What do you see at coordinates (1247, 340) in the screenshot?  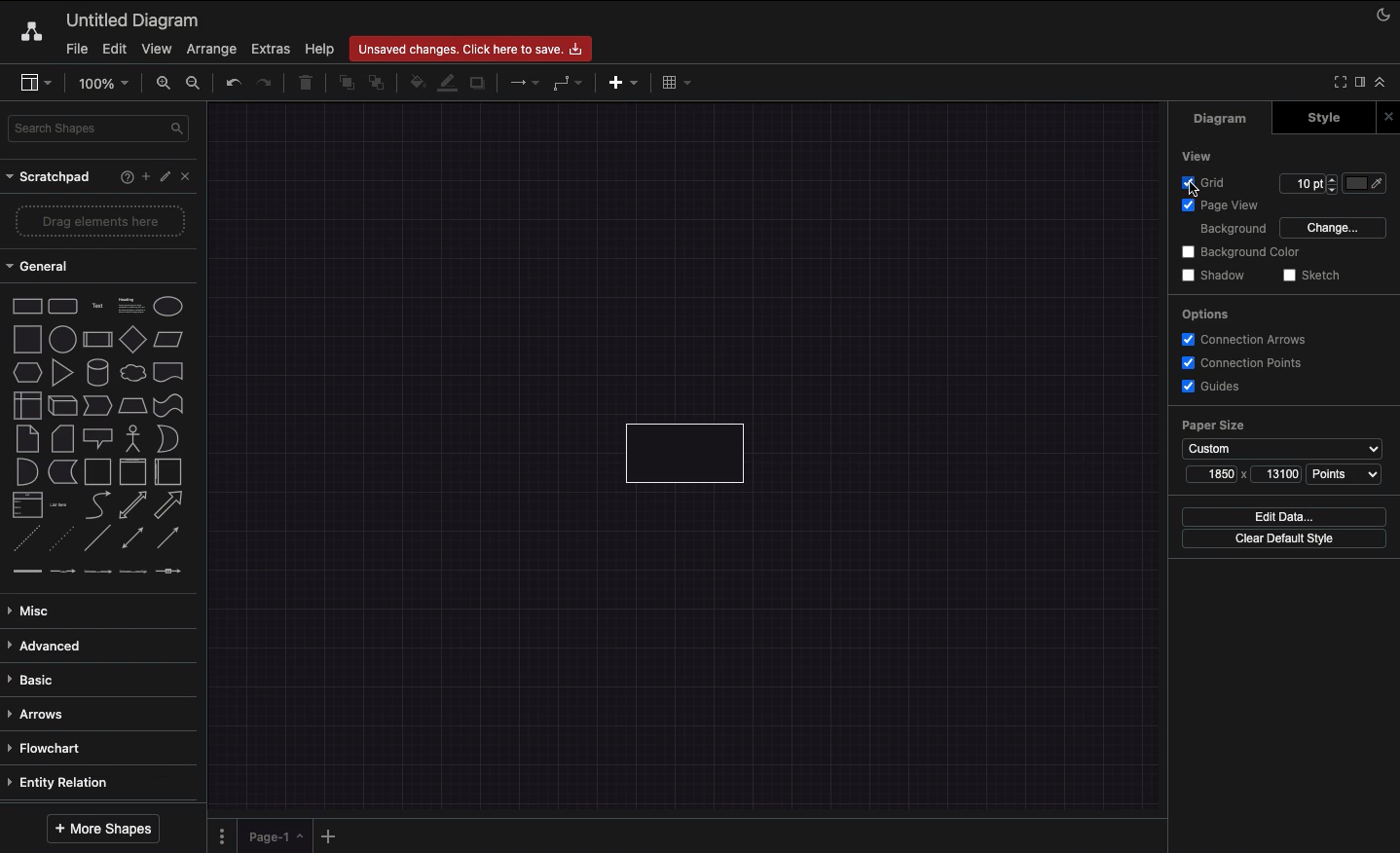 I see `Connection arrows` at bounding box center [1247, 340].